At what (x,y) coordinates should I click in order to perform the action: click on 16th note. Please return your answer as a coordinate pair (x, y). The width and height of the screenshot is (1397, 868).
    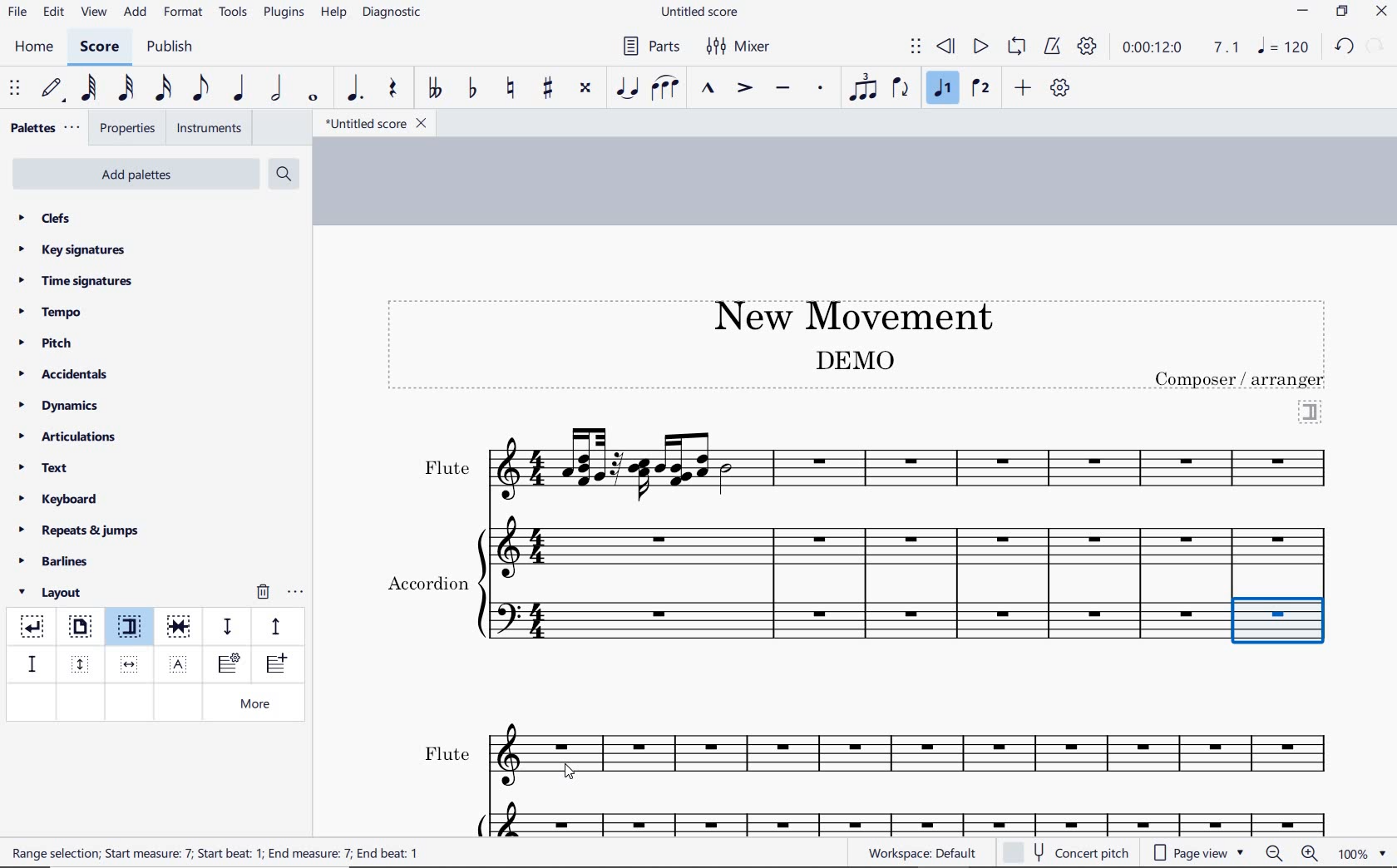
    Looking at the image, I should click on (164, 89).